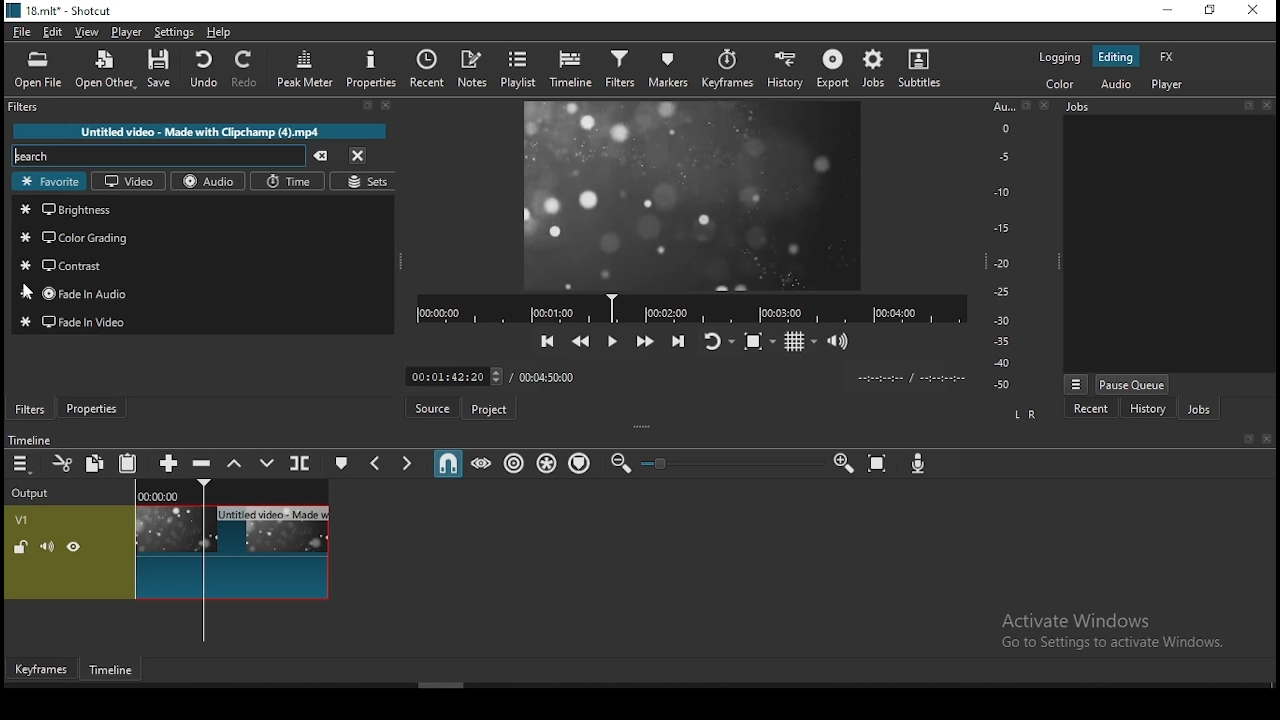  I want to click on clear search, so click(322, 156).